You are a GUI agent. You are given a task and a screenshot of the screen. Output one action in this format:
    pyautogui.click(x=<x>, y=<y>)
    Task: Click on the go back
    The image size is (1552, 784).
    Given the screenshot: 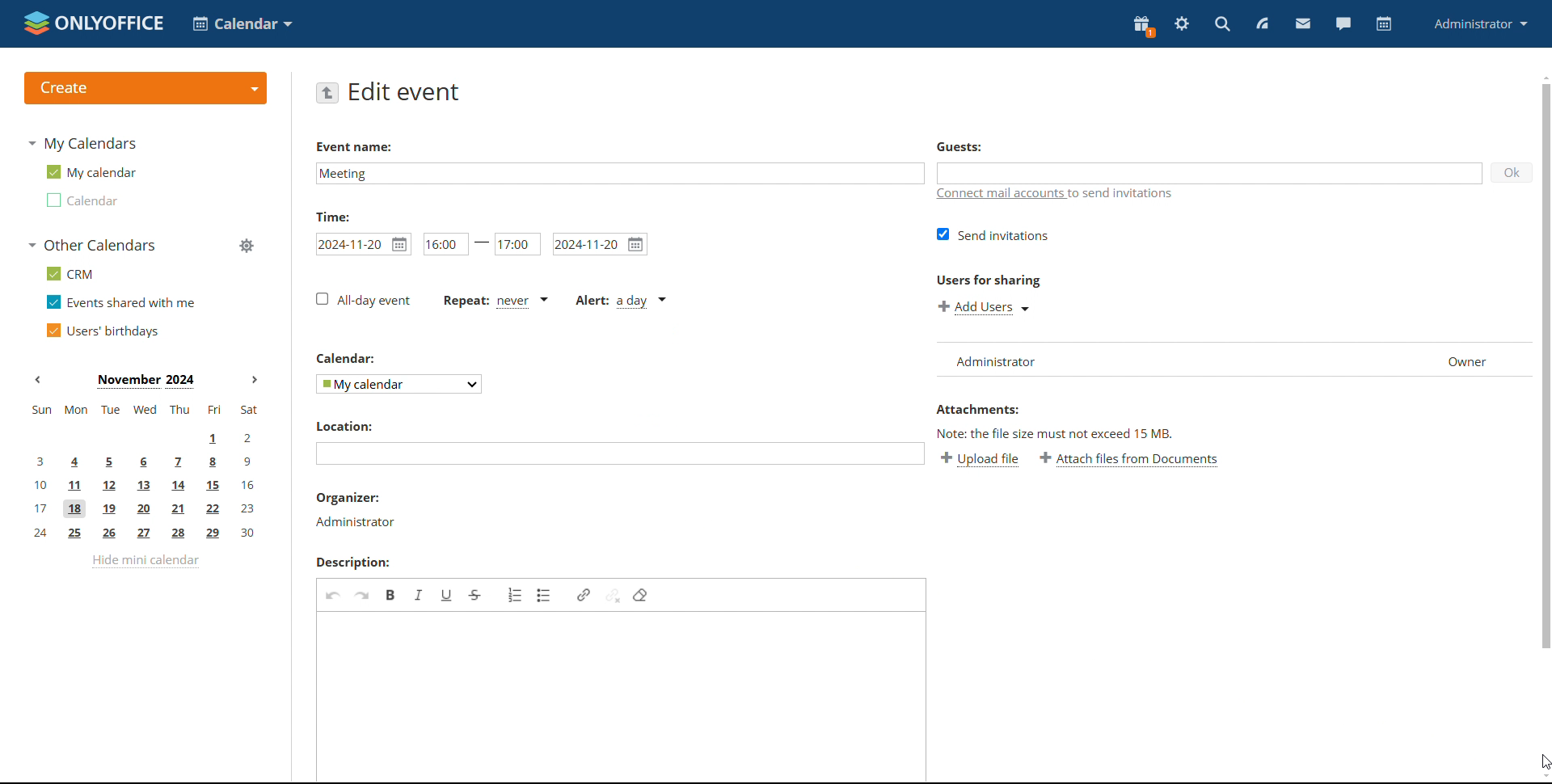 What is the action you would take?
    pyautogui.click(x=327, y=94)
    